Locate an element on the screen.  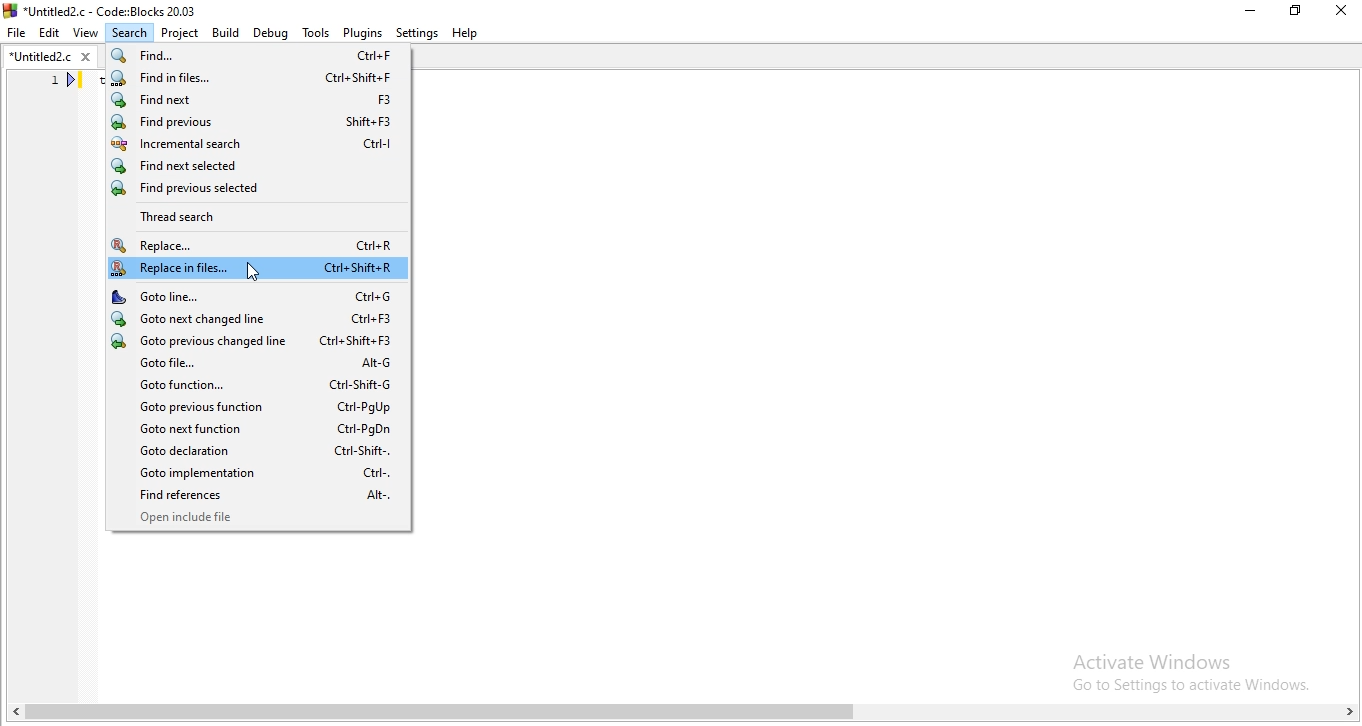
Find references is located at coordinates (260, 495).